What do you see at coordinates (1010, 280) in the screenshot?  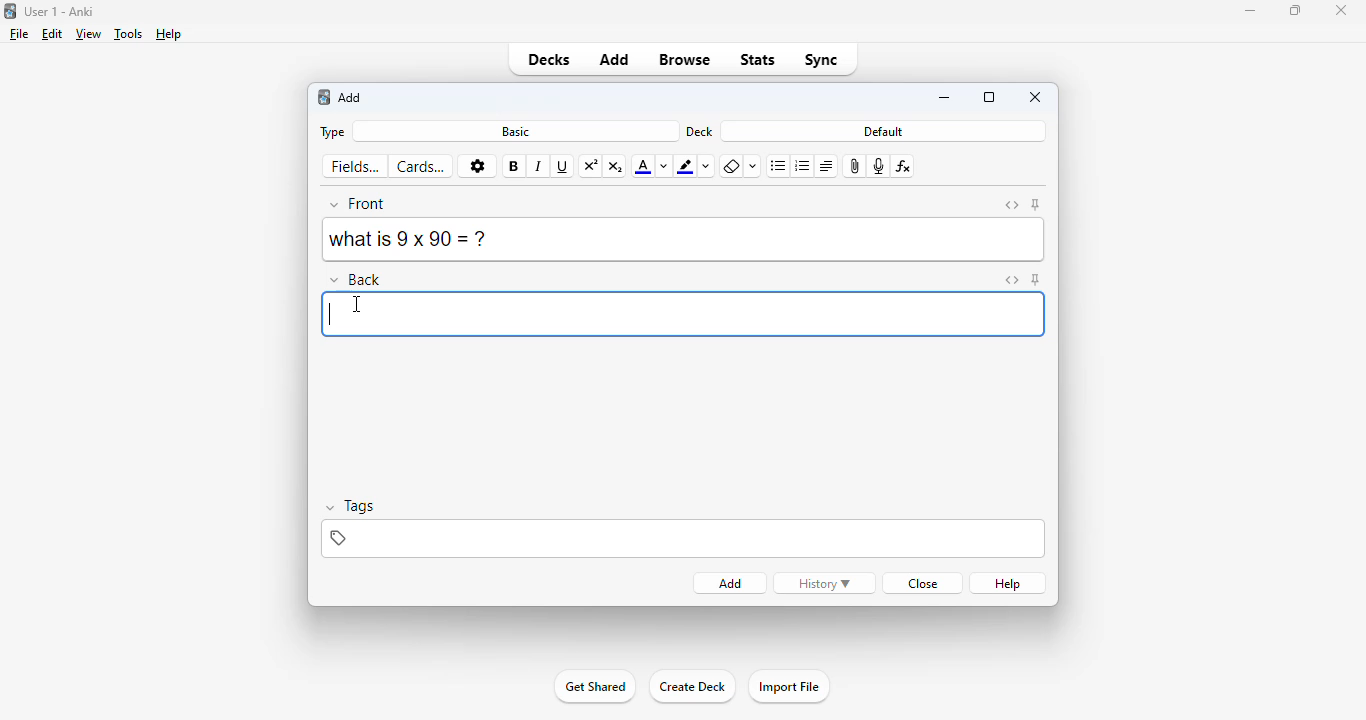 I see `toggle HTML editor` at bounding box center [1010, 280].